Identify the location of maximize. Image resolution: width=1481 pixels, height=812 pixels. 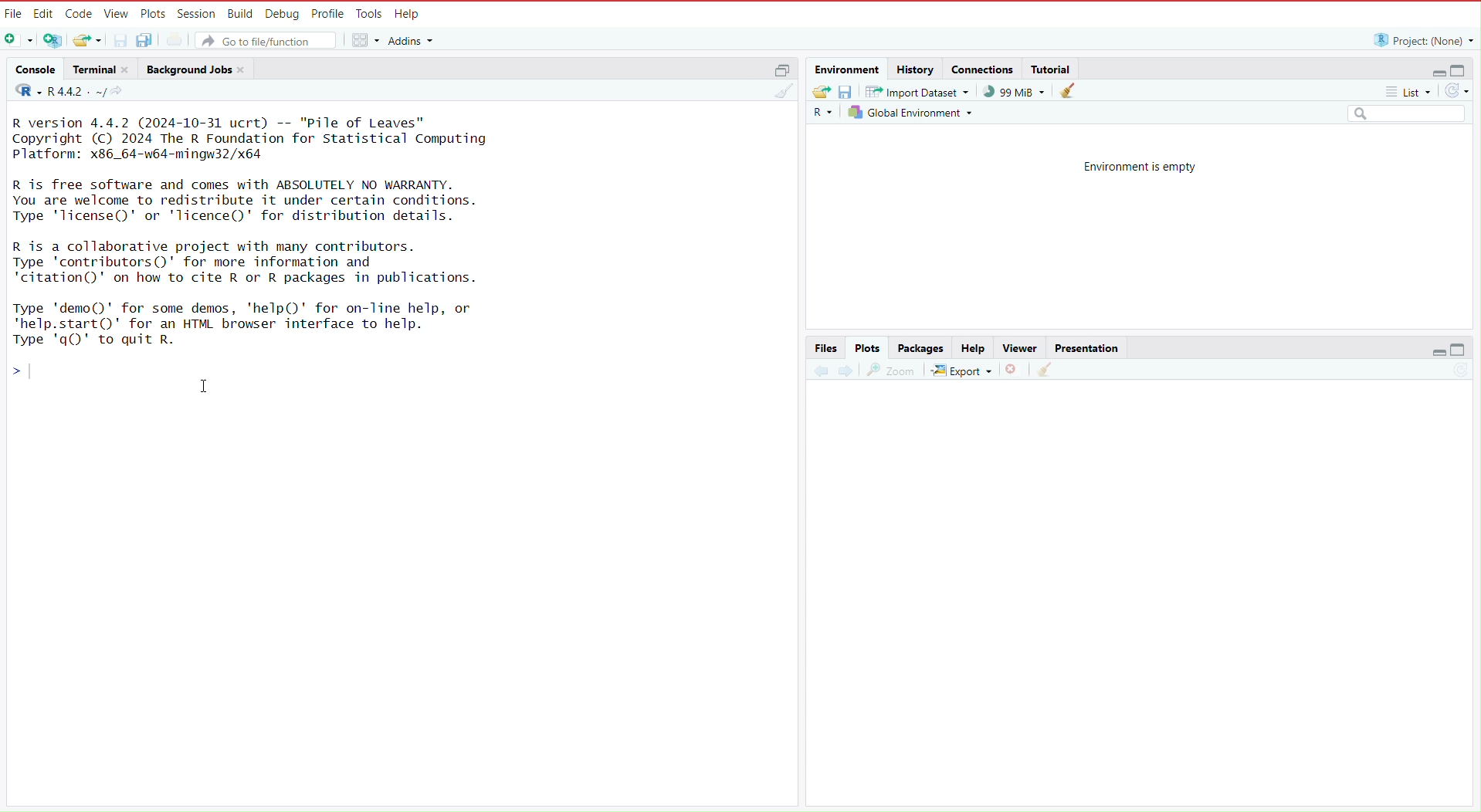
(1464, 68).